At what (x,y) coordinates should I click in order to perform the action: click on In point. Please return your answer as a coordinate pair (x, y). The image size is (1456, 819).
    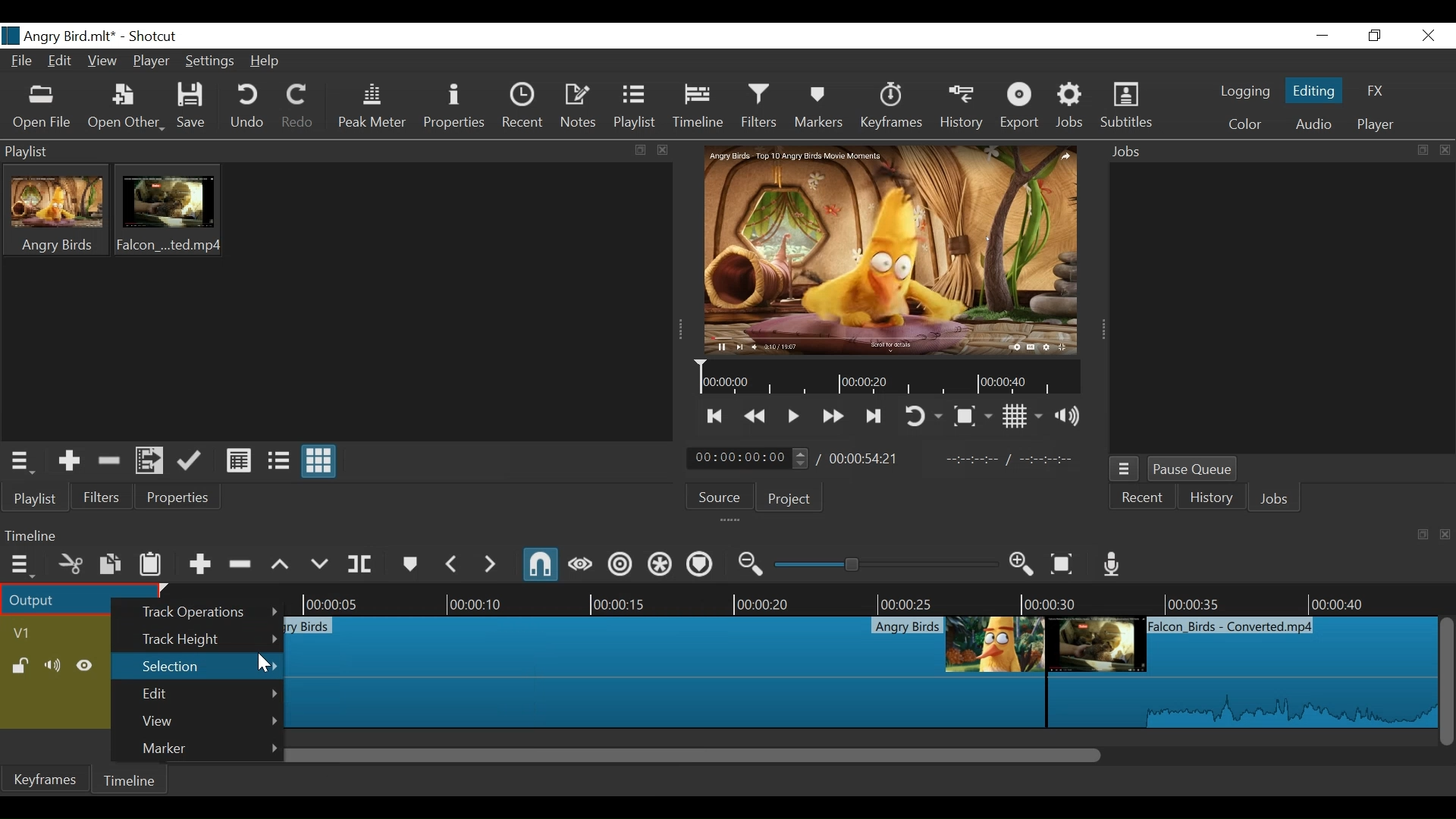
    Looking at the image, I should click on (1016, 461).